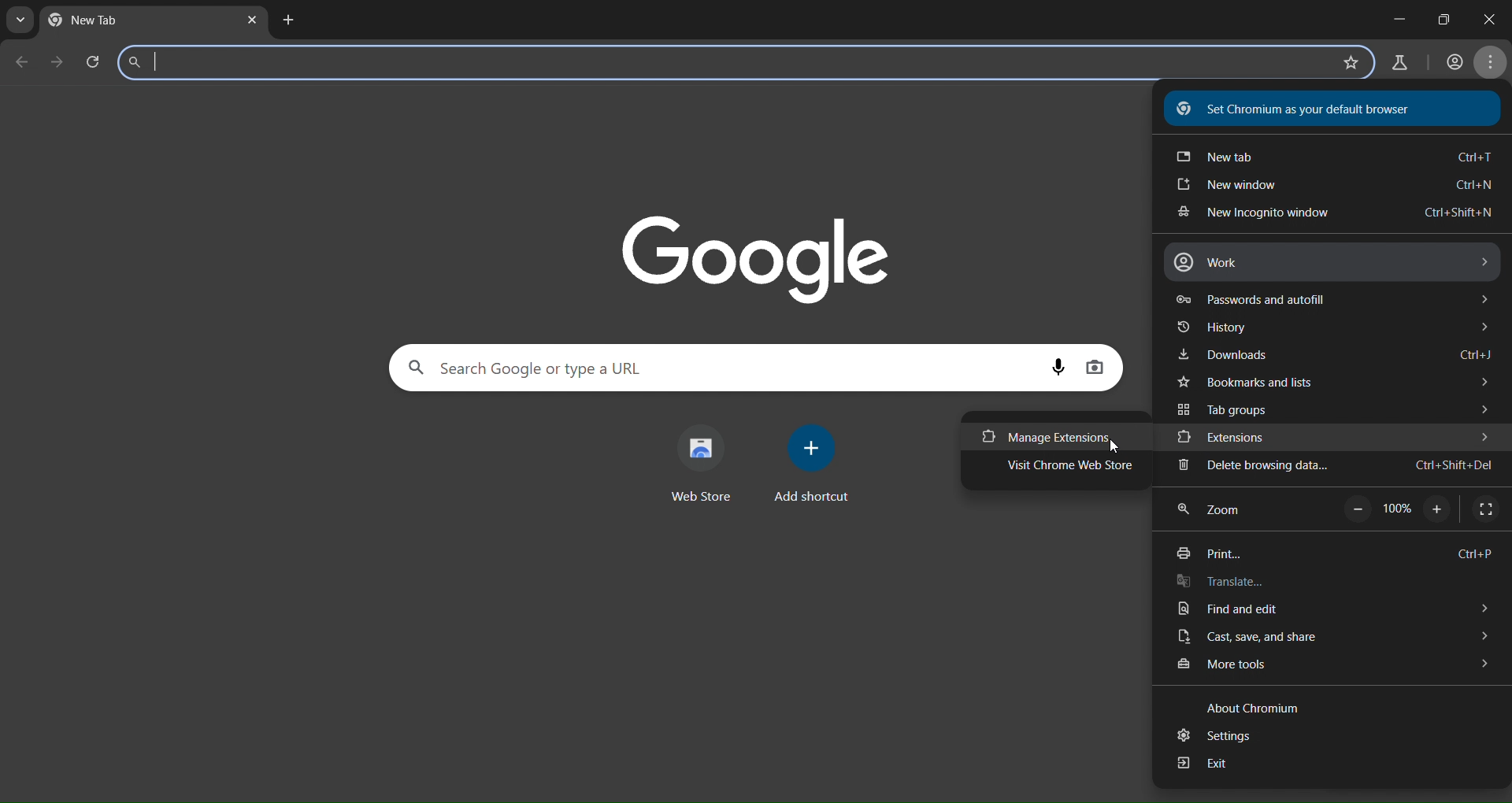 The height and width of the screenshot is (803, 1512). Describe the element at coordinates (1455, 59) in the screenshot. I see `account` at that location.